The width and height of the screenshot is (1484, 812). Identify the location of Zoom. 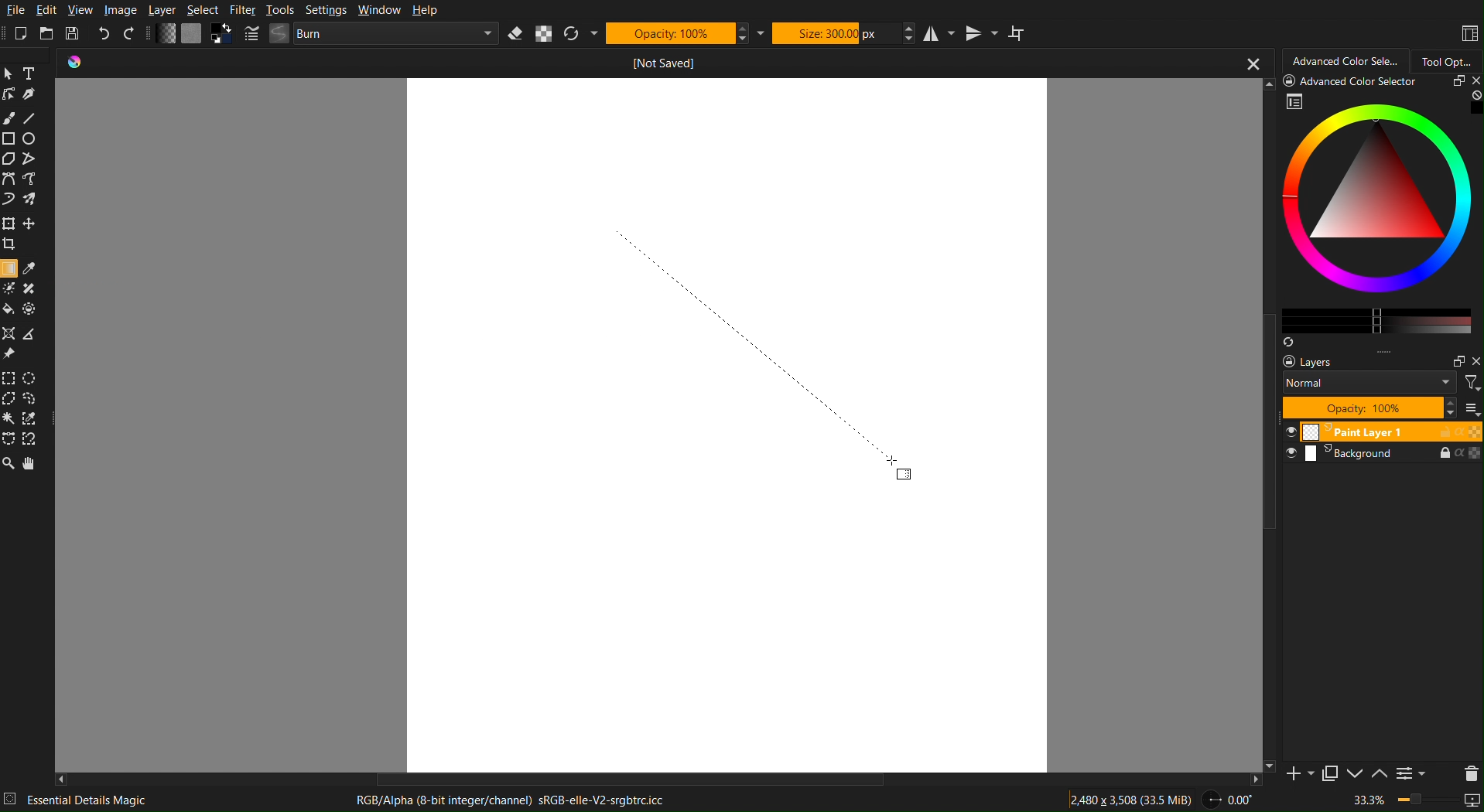
(9, 464).